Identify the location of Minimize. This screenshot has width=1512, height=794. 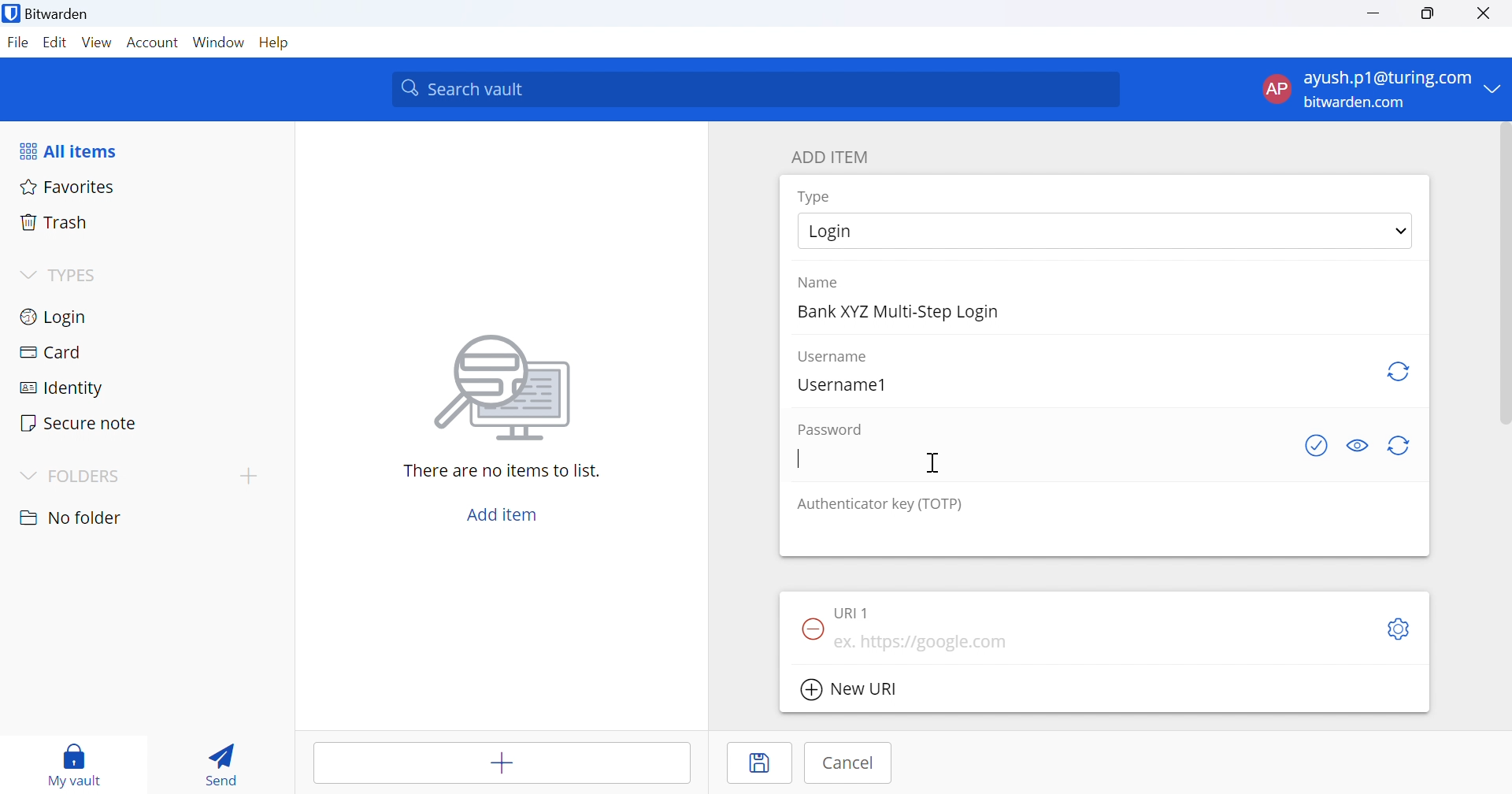
(1373, 15).